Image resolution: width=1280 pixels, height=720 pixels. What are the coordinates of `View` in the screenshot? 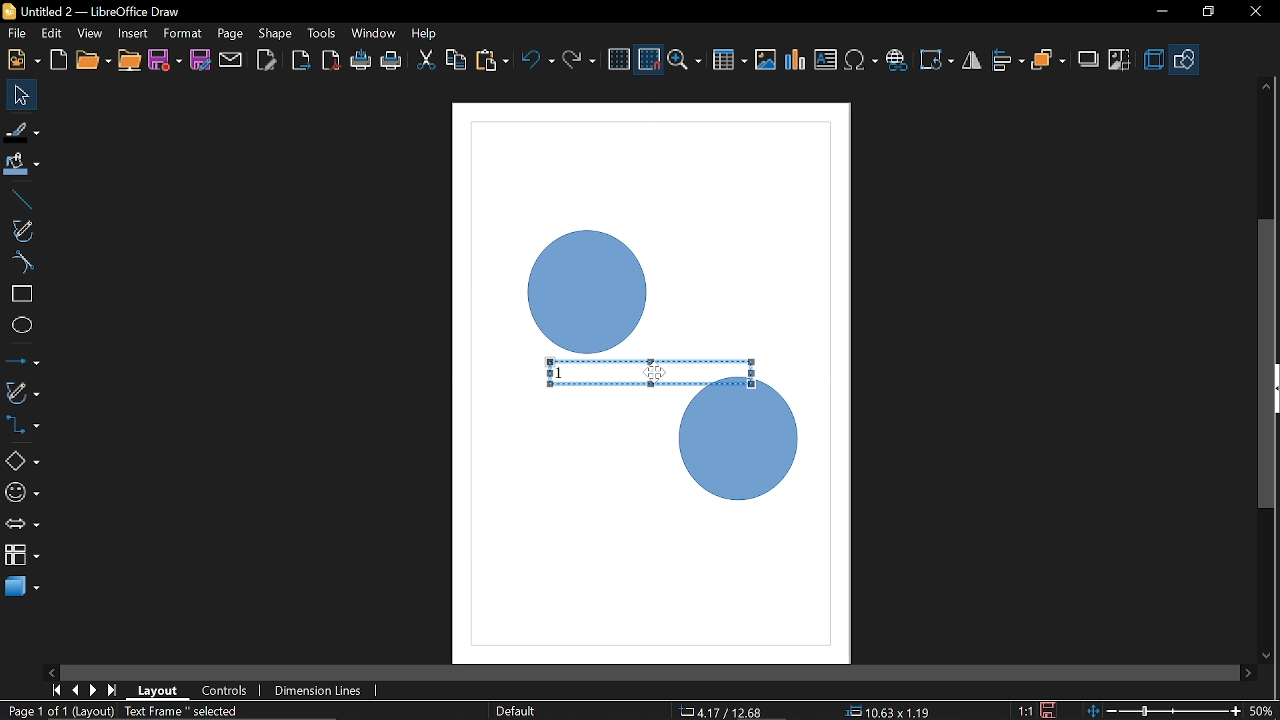 It's located at (92, 34).